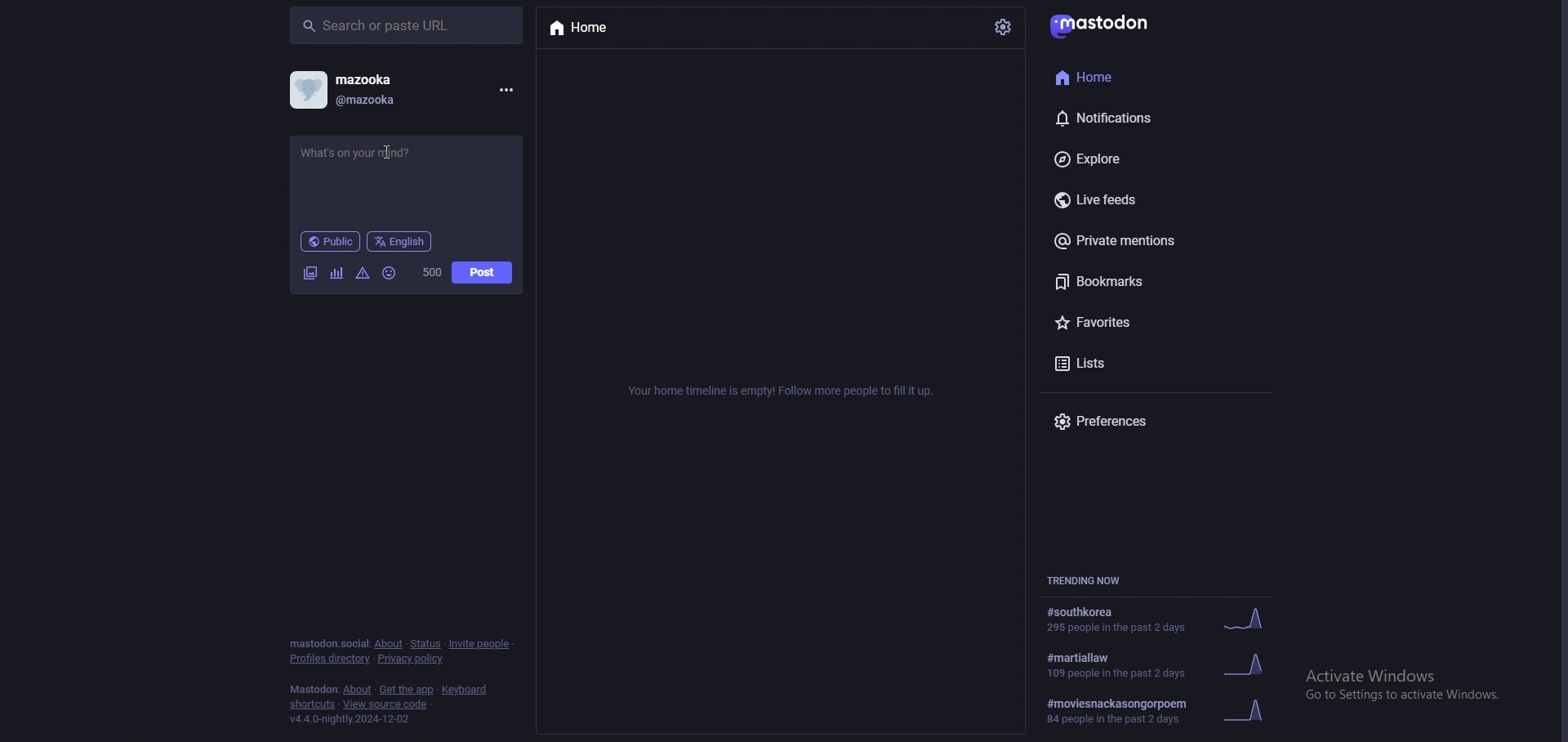 Image resolution: width=1568 pixels, height=742 pixels. Describe the element at coordinates (1125, 159) in the screenshot. I see `explore` at that location.